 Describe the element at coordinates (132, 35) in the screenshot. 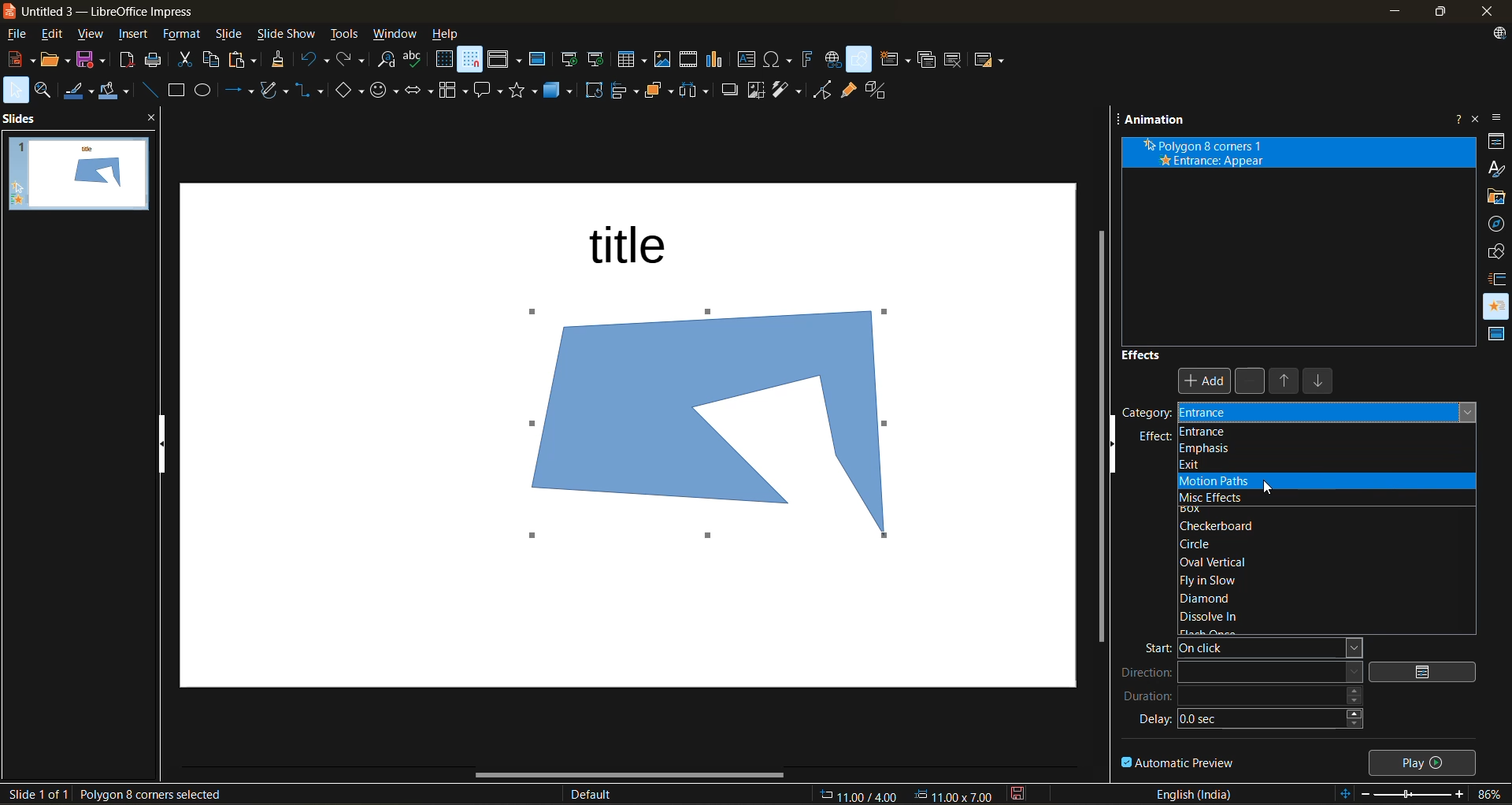

I see `insert` at that location.